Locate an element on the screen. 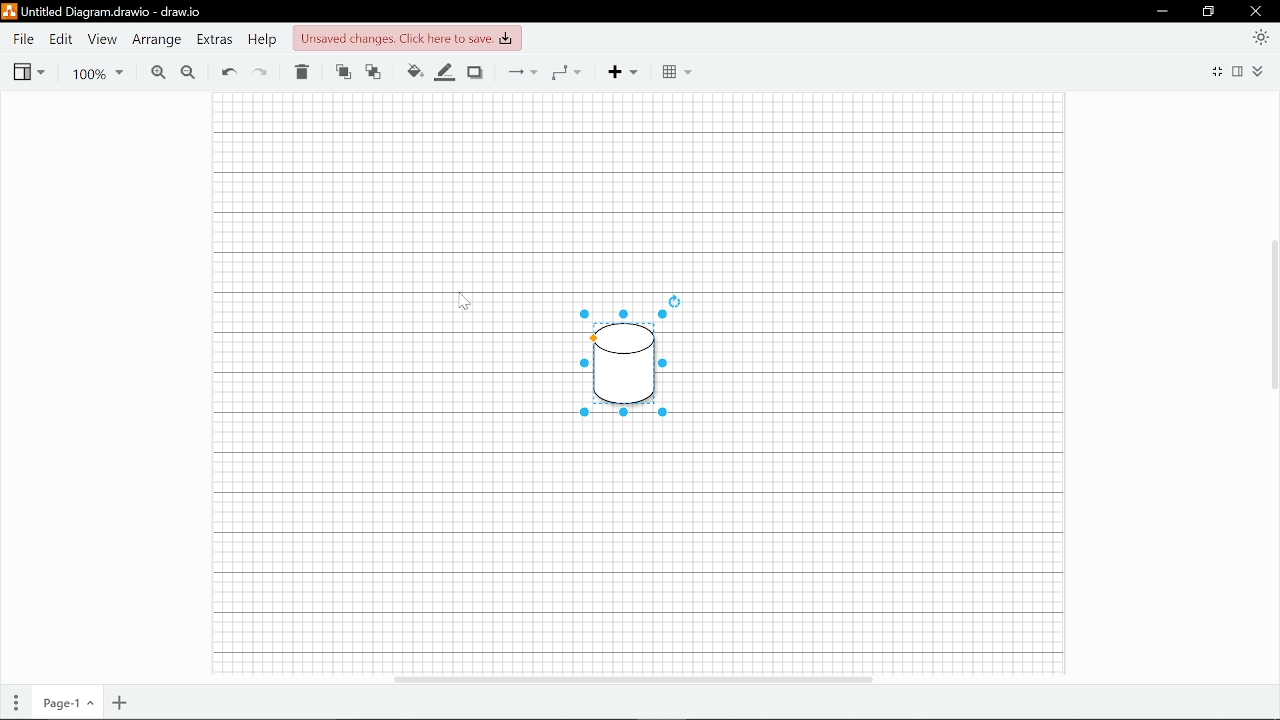  Edit is located at coordinates (62, 40).